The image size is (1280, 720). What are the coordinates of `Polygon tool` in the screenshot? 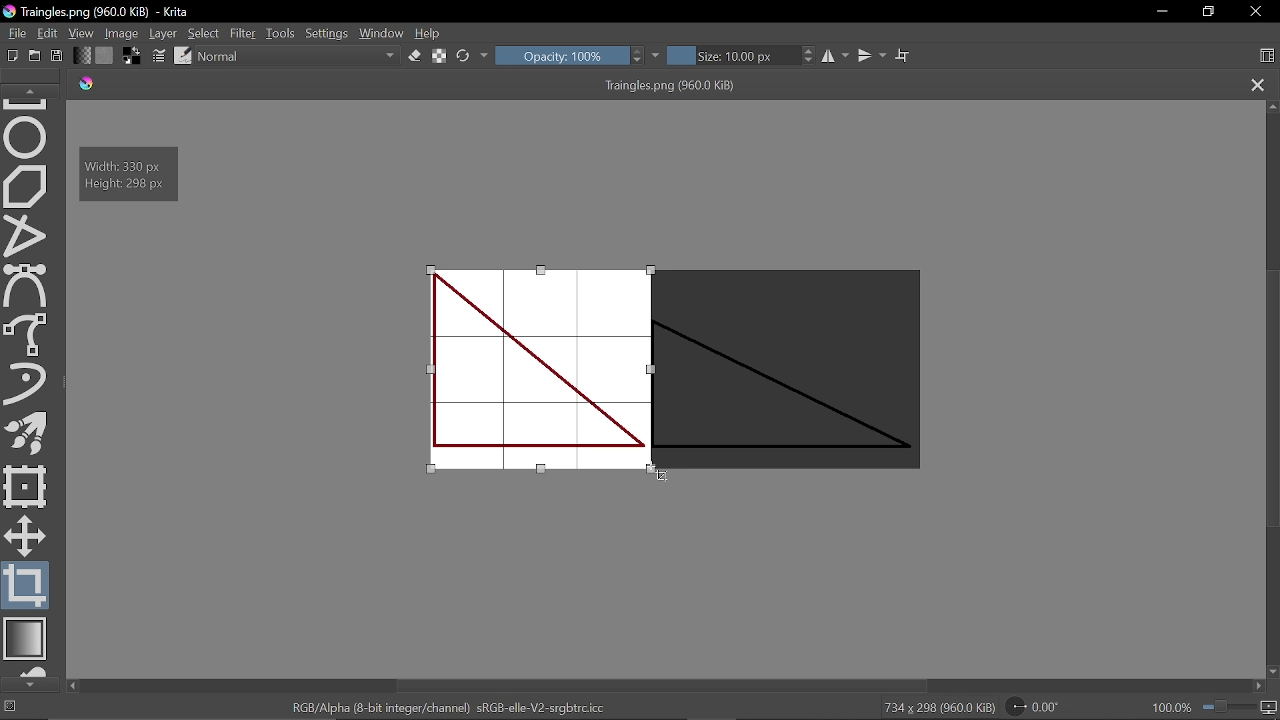 It's located at (27, 187).